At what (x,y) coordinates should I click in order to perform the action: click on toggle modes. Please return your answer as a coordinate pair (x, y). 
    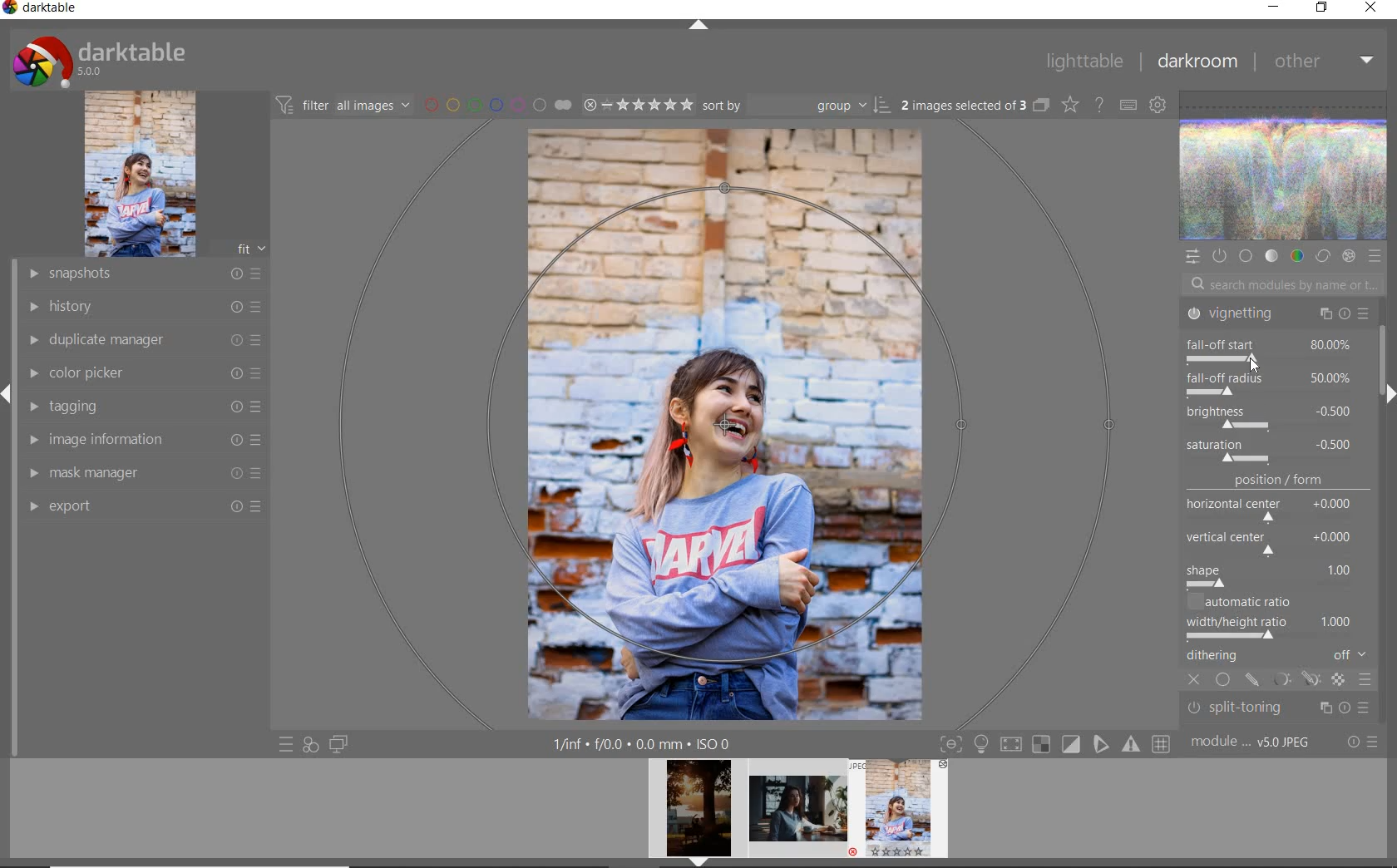
    Looking at the image, I should click on (1055, 742).